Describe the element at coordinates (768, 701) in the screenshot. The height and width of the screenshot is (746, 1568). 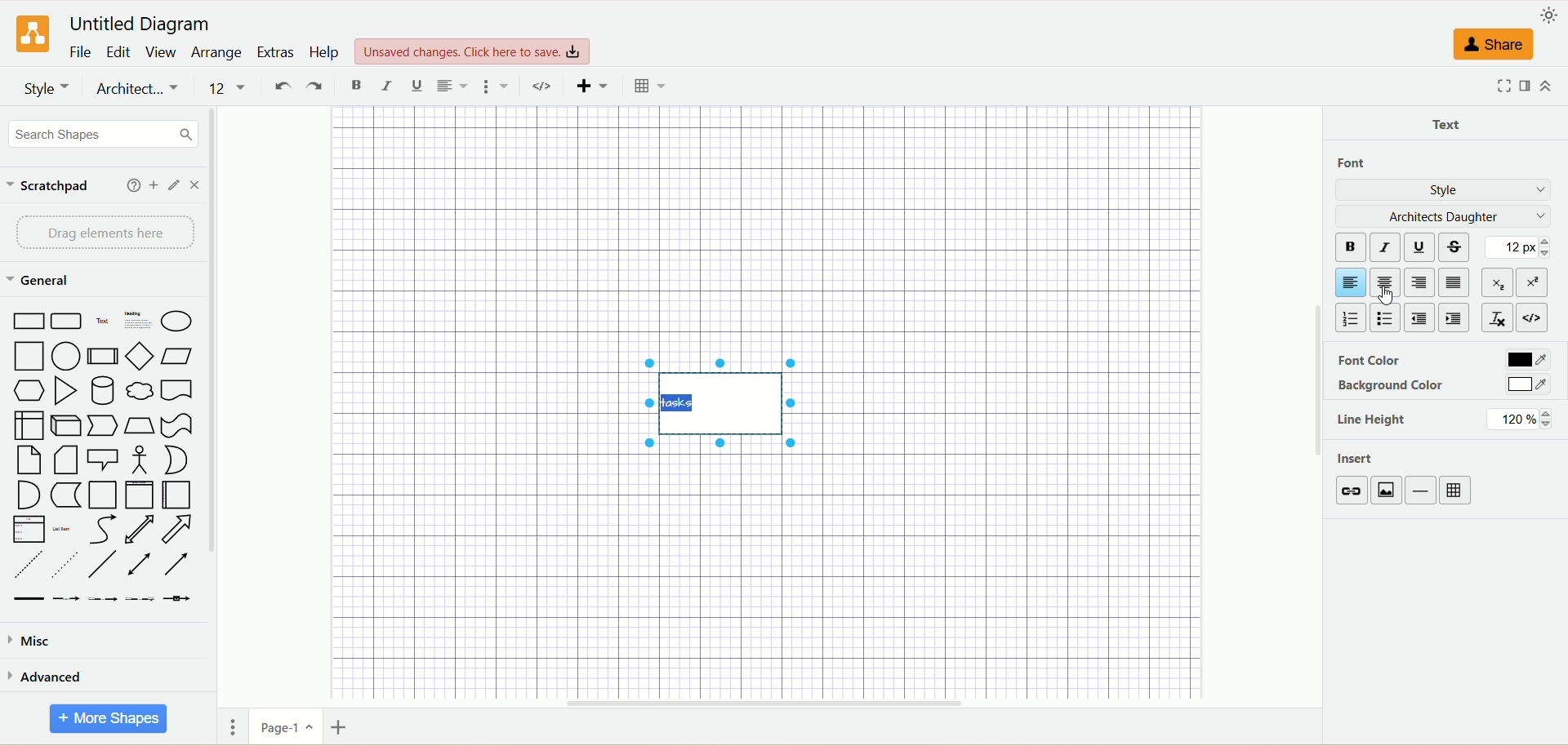
I see `horizontal scroll bar` at that location.